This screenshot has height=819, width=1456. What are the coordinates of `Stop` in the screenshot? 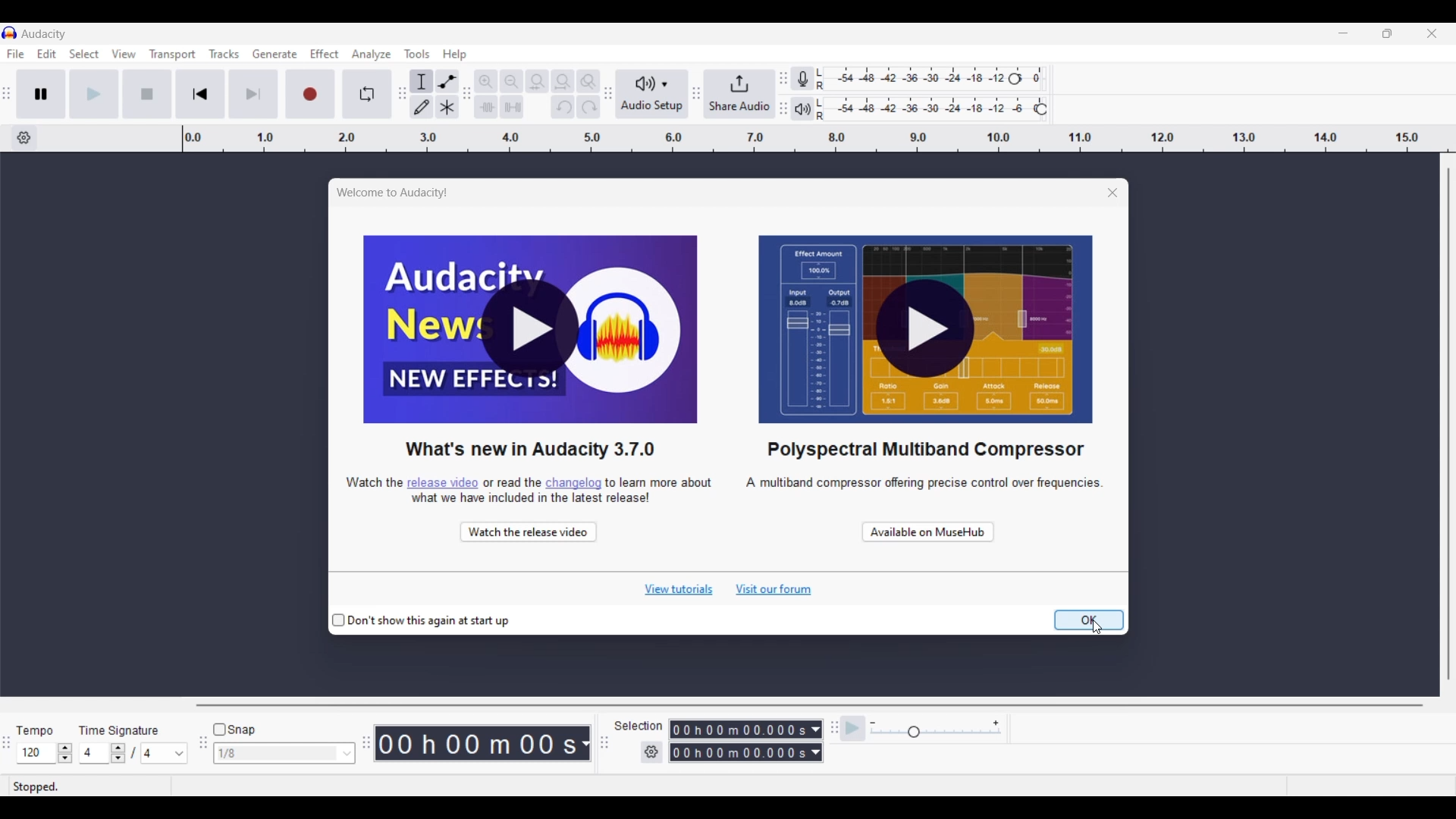 It's located at (147, 94).